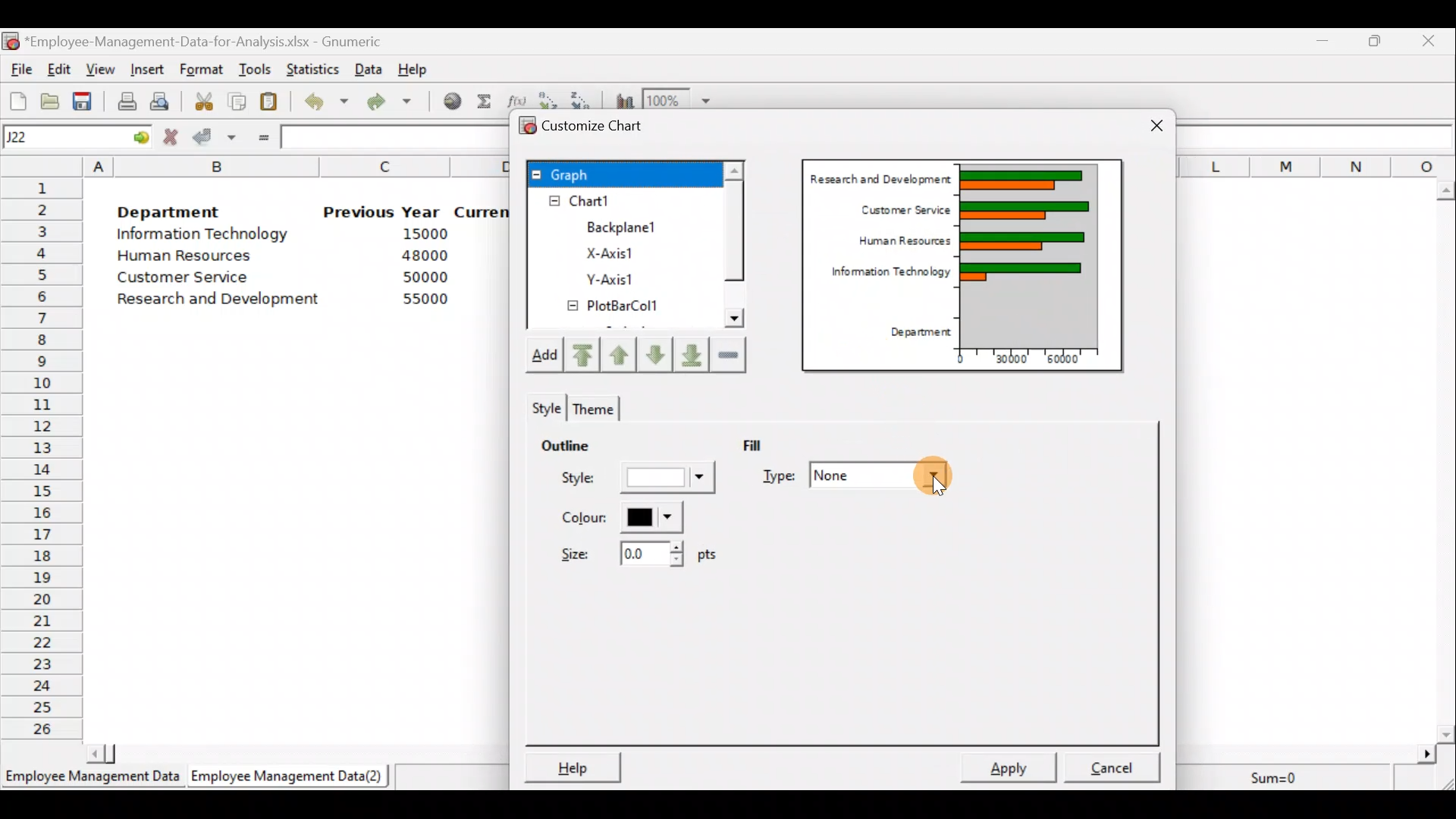 Image resolution: width=1456 pixels, height=819 pixels. Describe the element at coordinates (1112, 764) in the screenshot. I see `Cancel` at that location.